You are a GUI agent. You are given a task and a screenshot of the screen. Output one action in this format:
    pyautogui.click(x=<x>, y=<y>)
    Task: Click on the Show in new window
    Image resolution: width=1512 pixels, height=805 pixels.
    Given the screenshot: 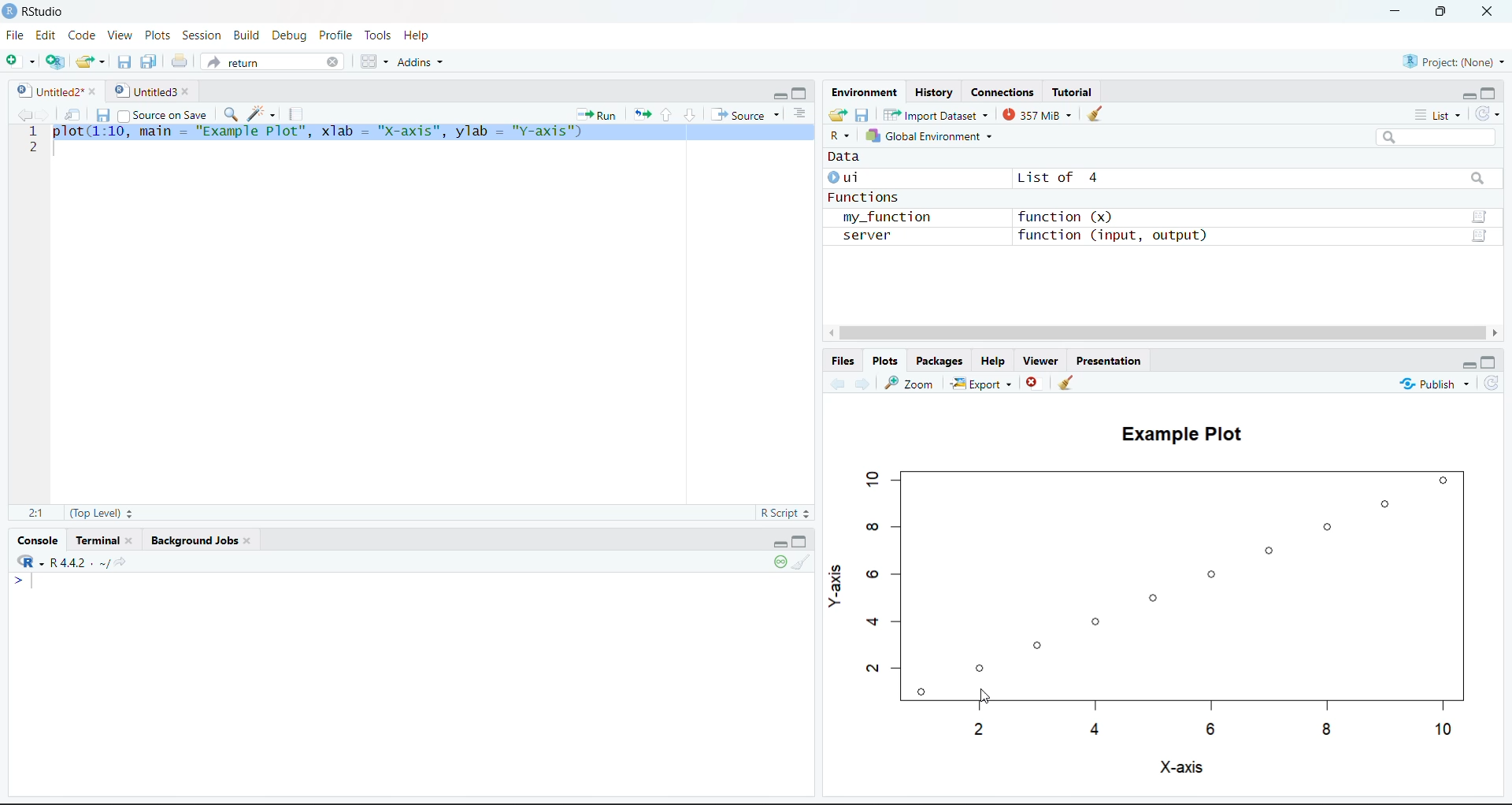 What is the action you would take?
    pyautogui.click(x=70, y=112)
    